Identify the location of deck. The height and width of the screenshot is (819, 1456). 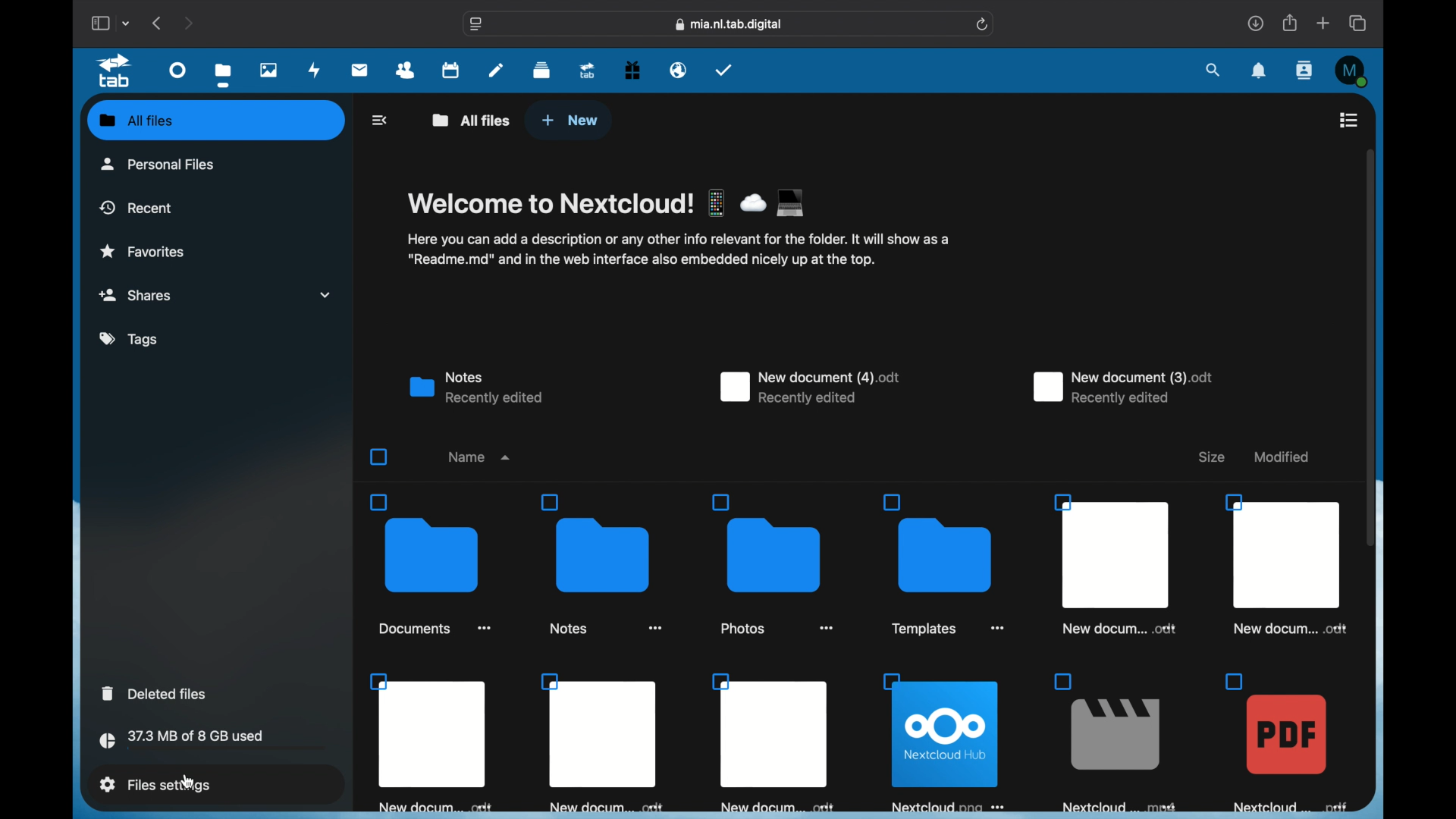
(541, 71).